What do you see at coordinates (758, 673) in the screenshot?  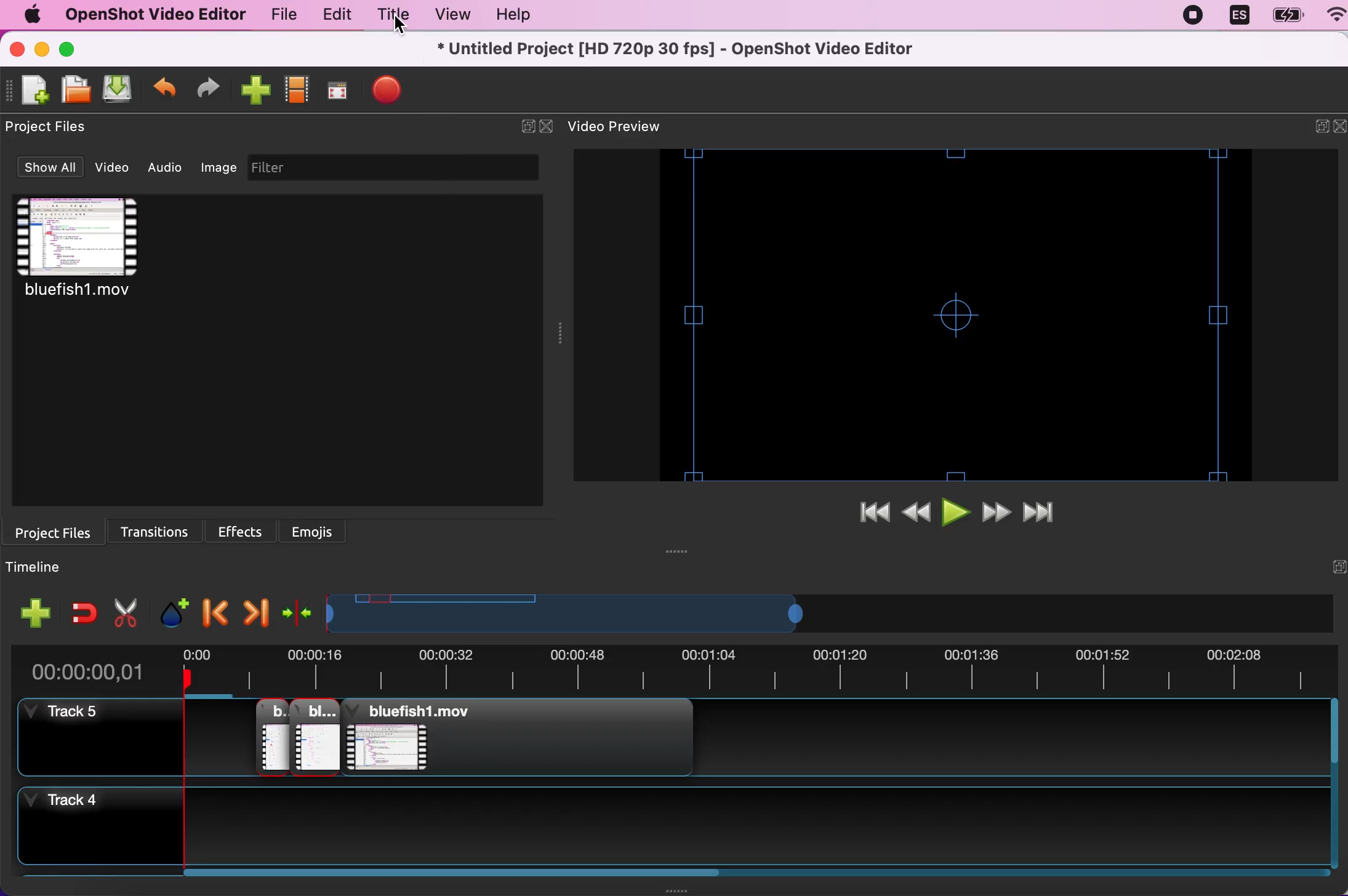 I see `video duration` at bounding box center [758, 673].